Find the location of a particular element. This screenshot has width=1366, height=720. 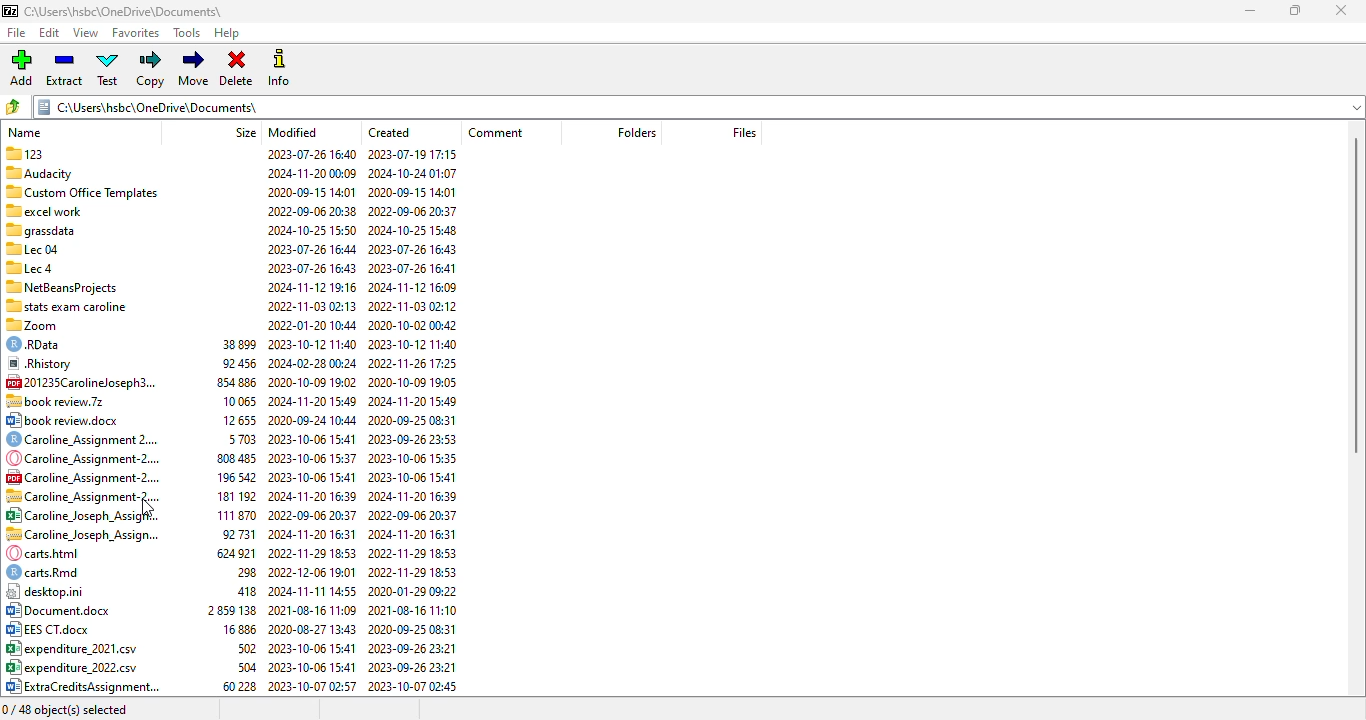

size is located at coordinates (243, 132).